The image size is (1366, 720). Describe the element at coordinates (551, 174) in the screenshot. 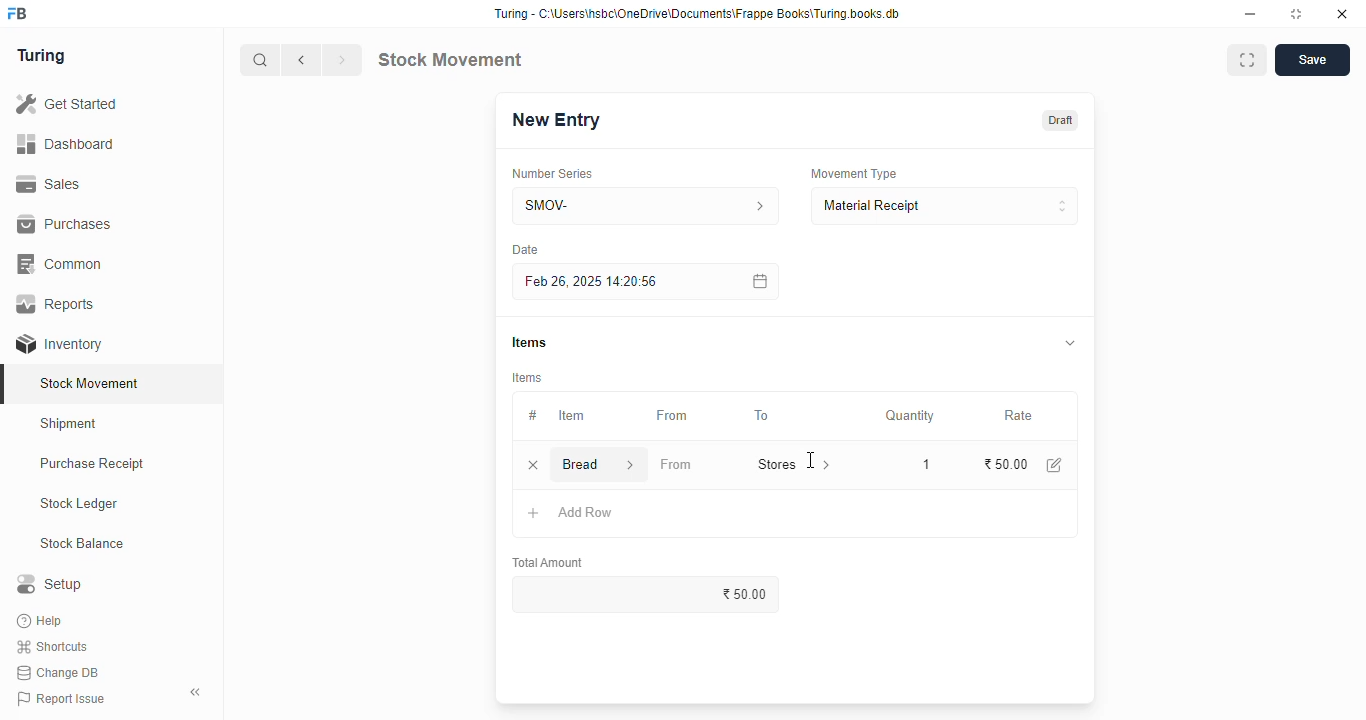

I see `number series` at that location.